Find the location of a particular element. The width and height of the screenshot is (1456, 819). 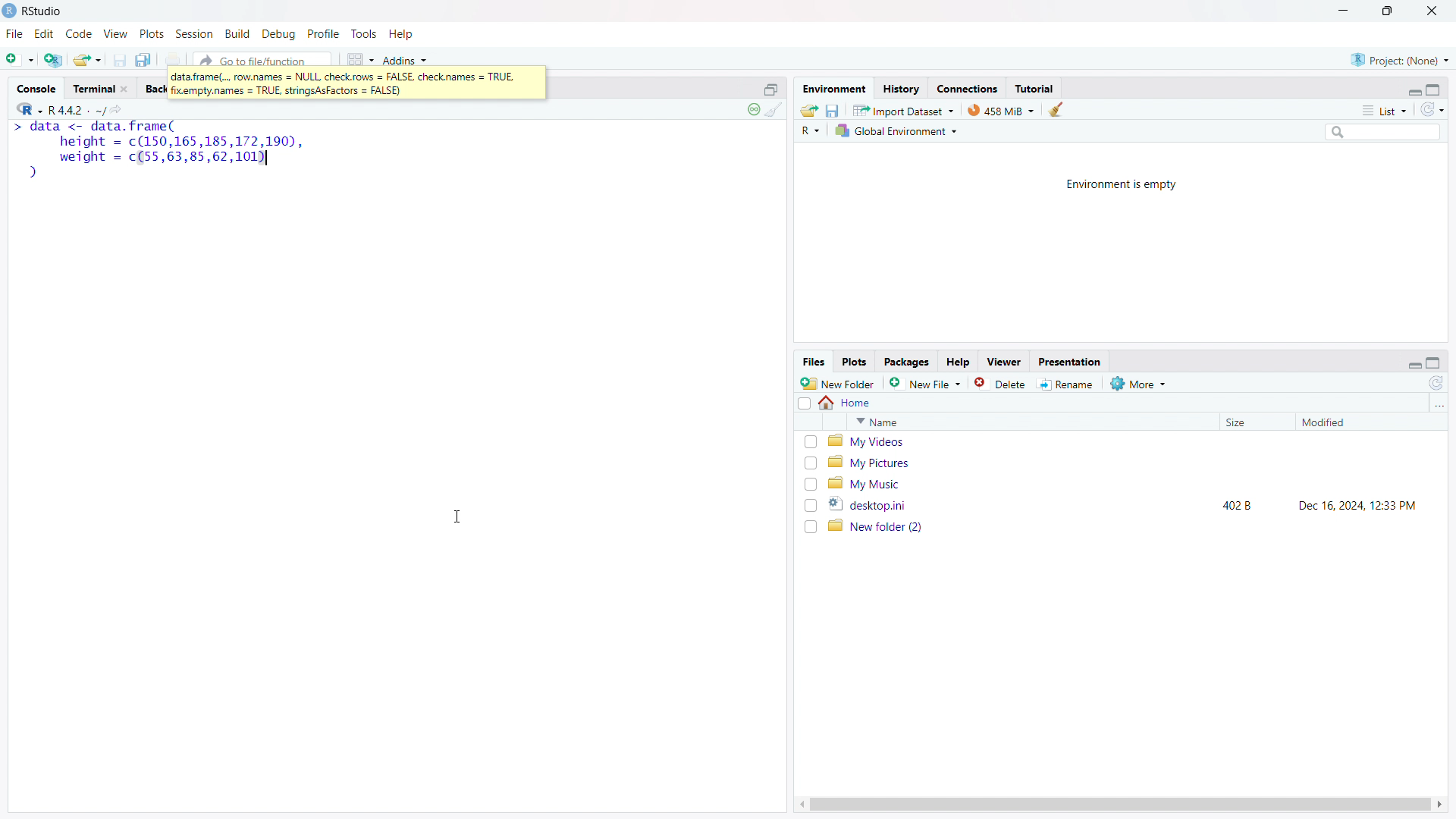

print is located at coordinates (174, 57).